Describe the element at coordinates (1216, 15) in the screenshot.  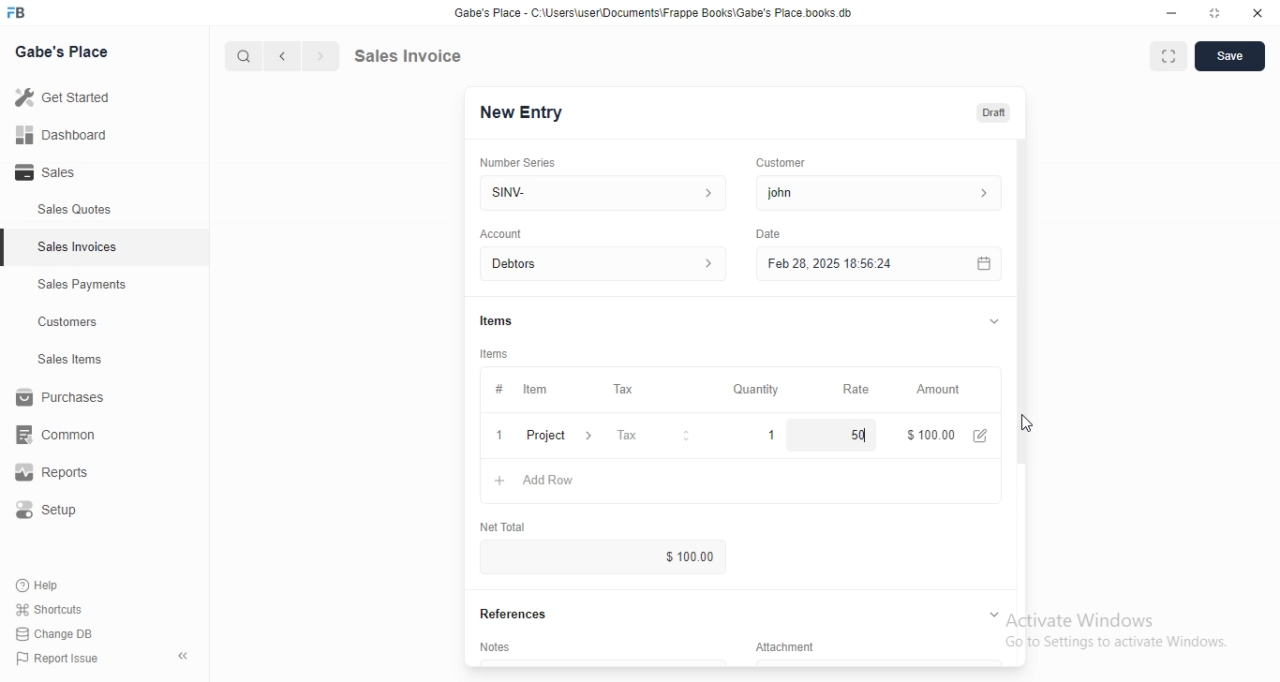
I see `maximize` at that location.